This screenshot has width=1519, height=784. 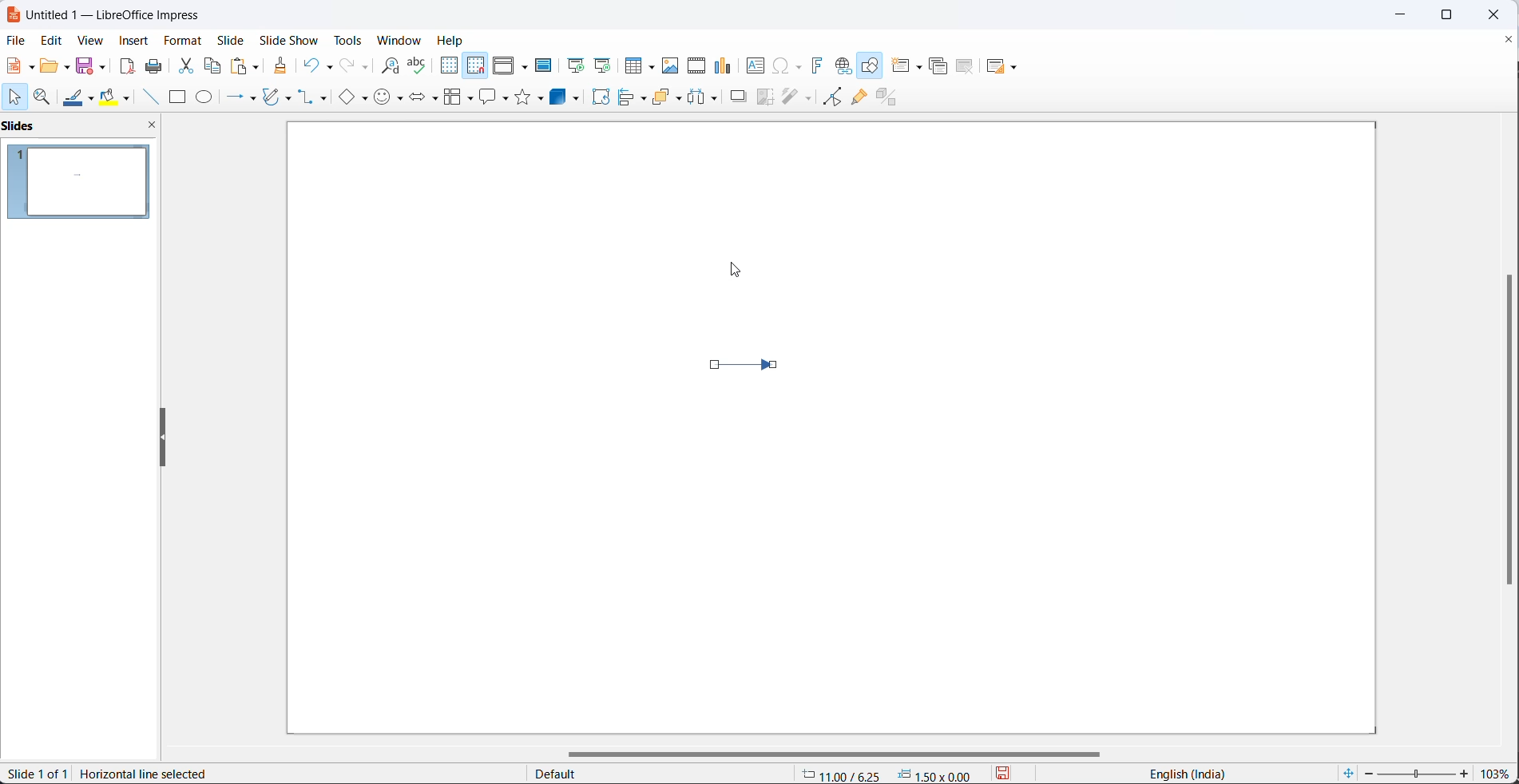 I want to click on 3d objects, so click(x=567, y=98).